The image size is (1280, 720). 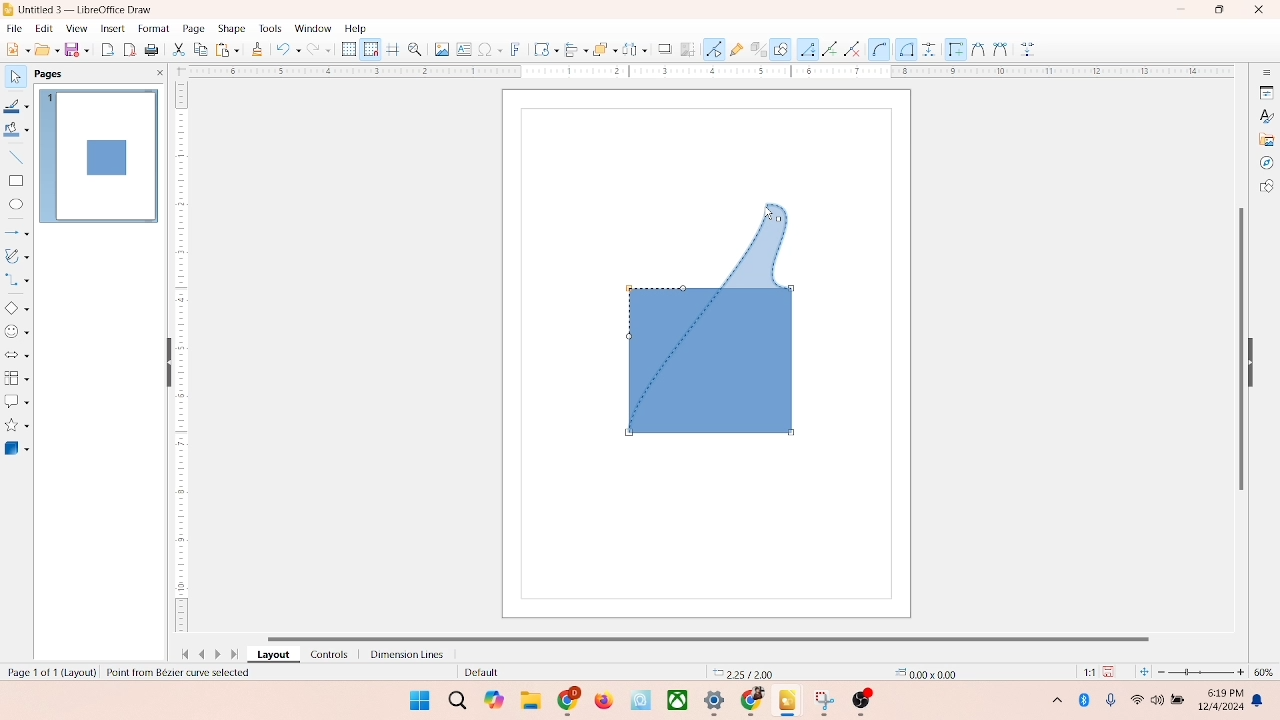 I want to click on save, so click(x=79, y=49).